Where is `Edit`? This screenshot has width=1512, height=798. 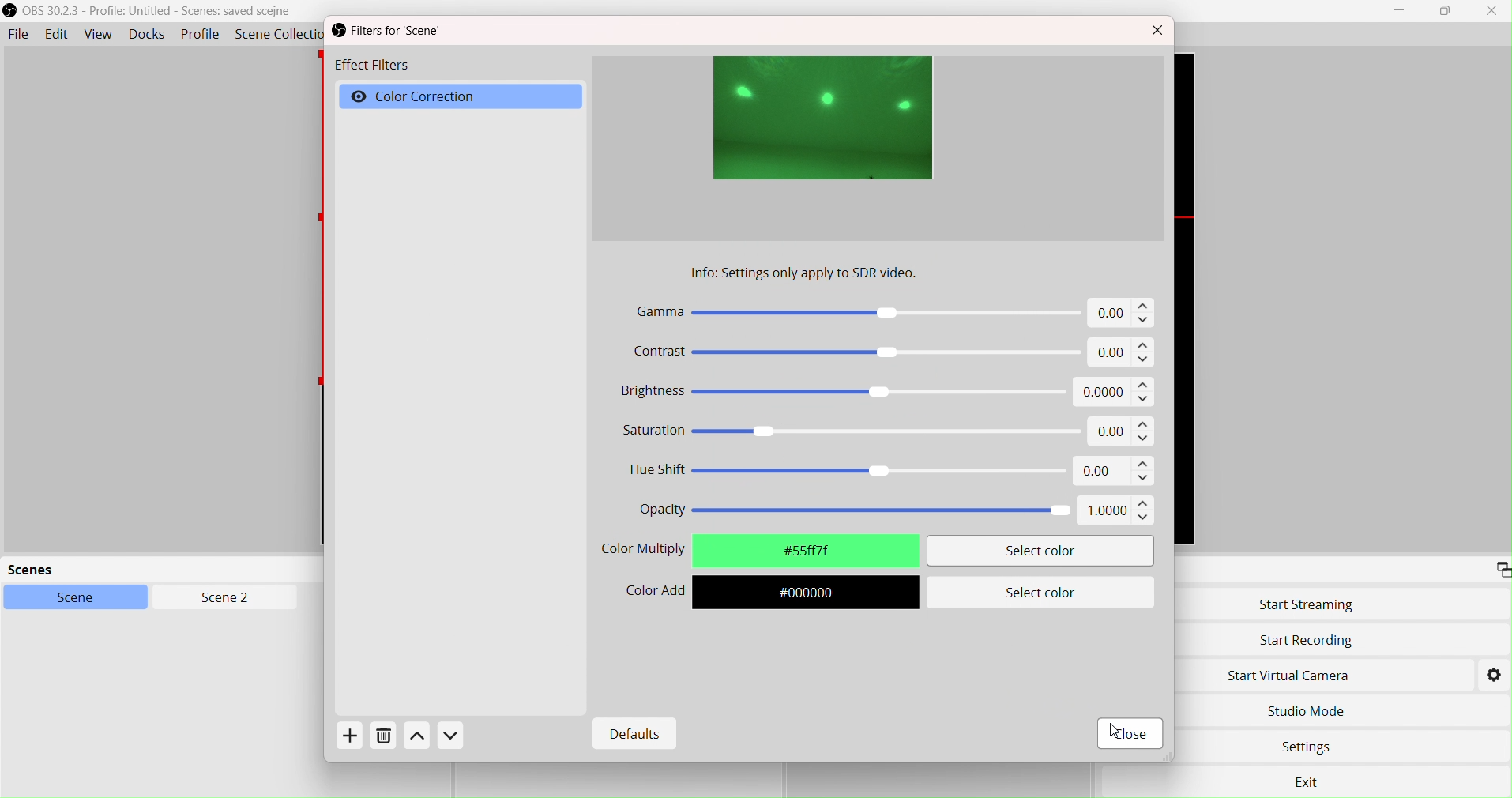 Edit is located at coordinates (56, 35).